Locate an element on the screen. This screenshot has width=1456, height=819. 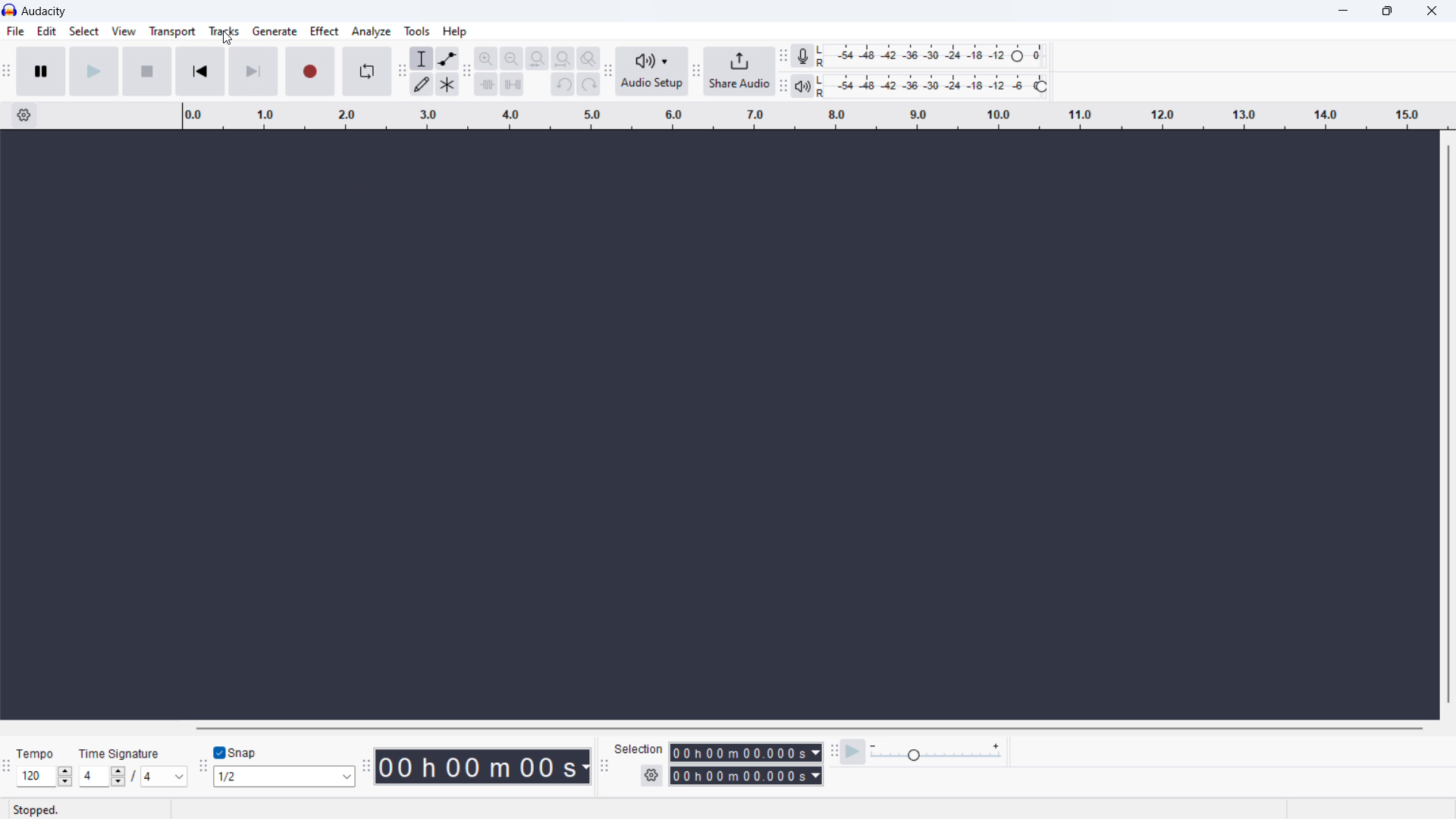
pause is located at coordinates (40, 71).